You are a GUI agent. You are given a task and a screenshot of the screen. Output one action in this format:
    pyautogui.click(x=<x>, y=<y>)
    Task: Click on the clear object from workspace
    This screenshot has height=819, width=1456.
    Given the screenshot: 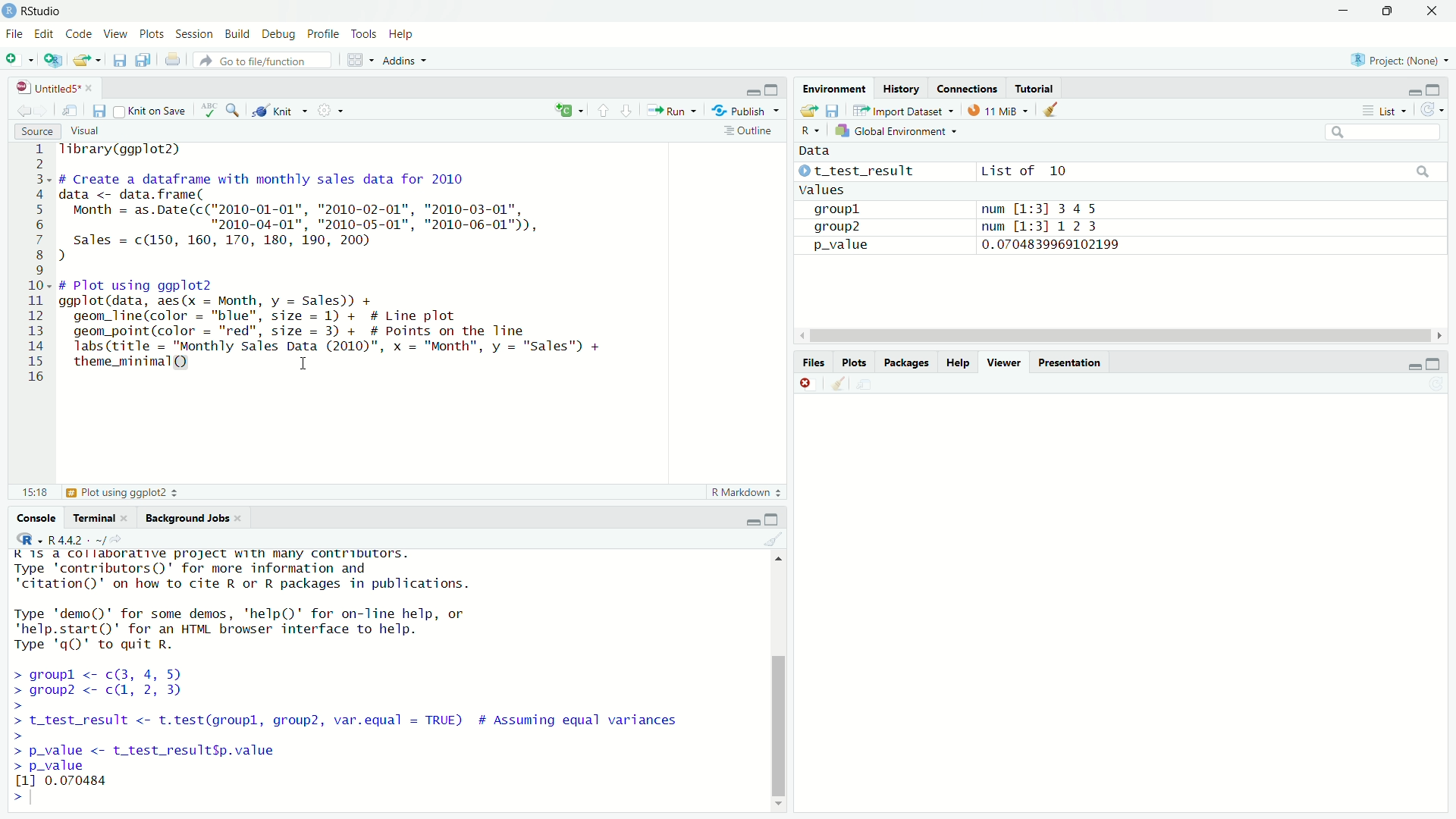 What is the action you would take?
    pyautogui.click(x=1054, y=108)
    